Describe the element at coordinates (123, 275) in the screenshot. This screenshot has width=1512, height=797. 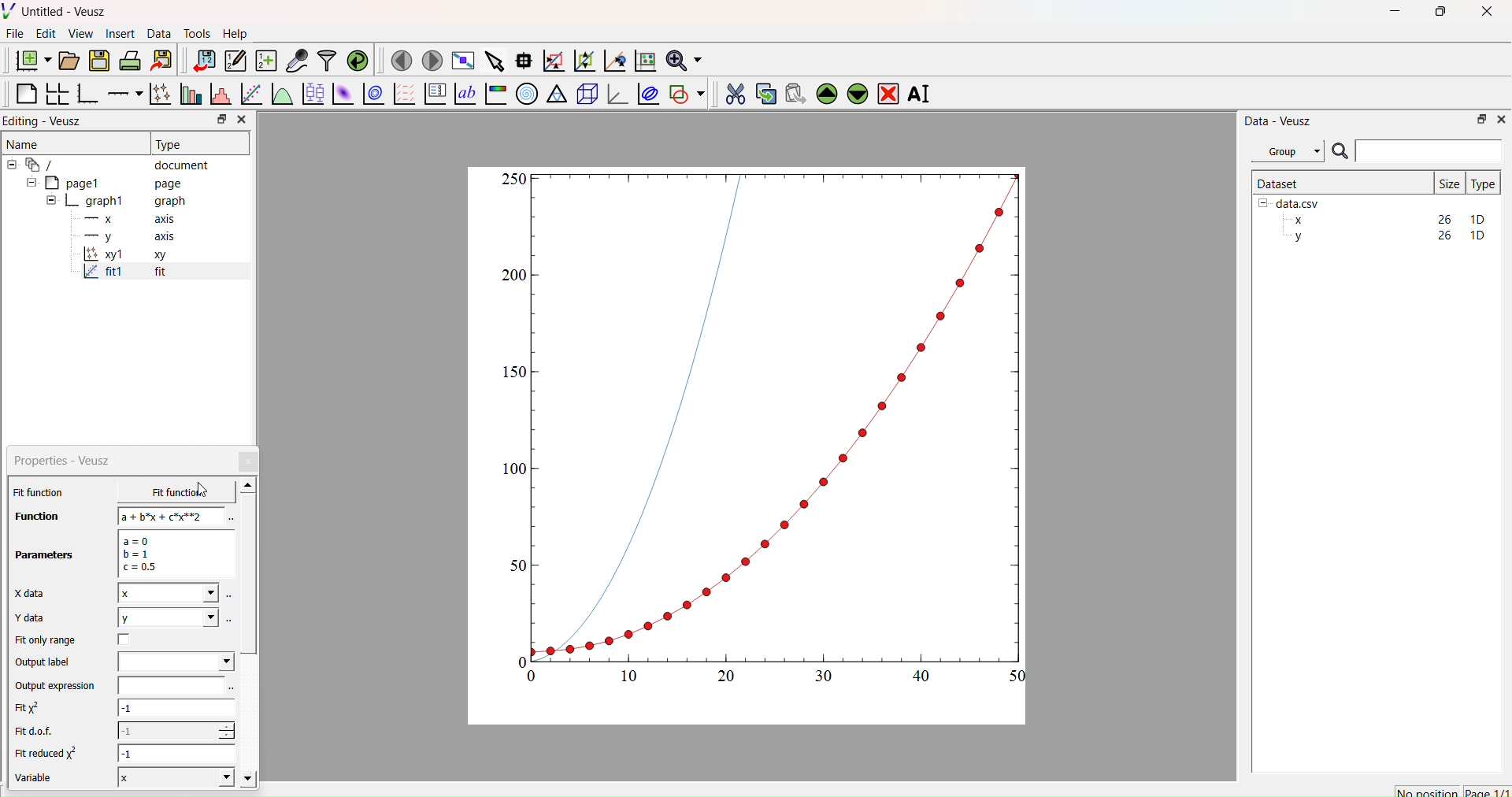
I see `fit1 fit` at that location.